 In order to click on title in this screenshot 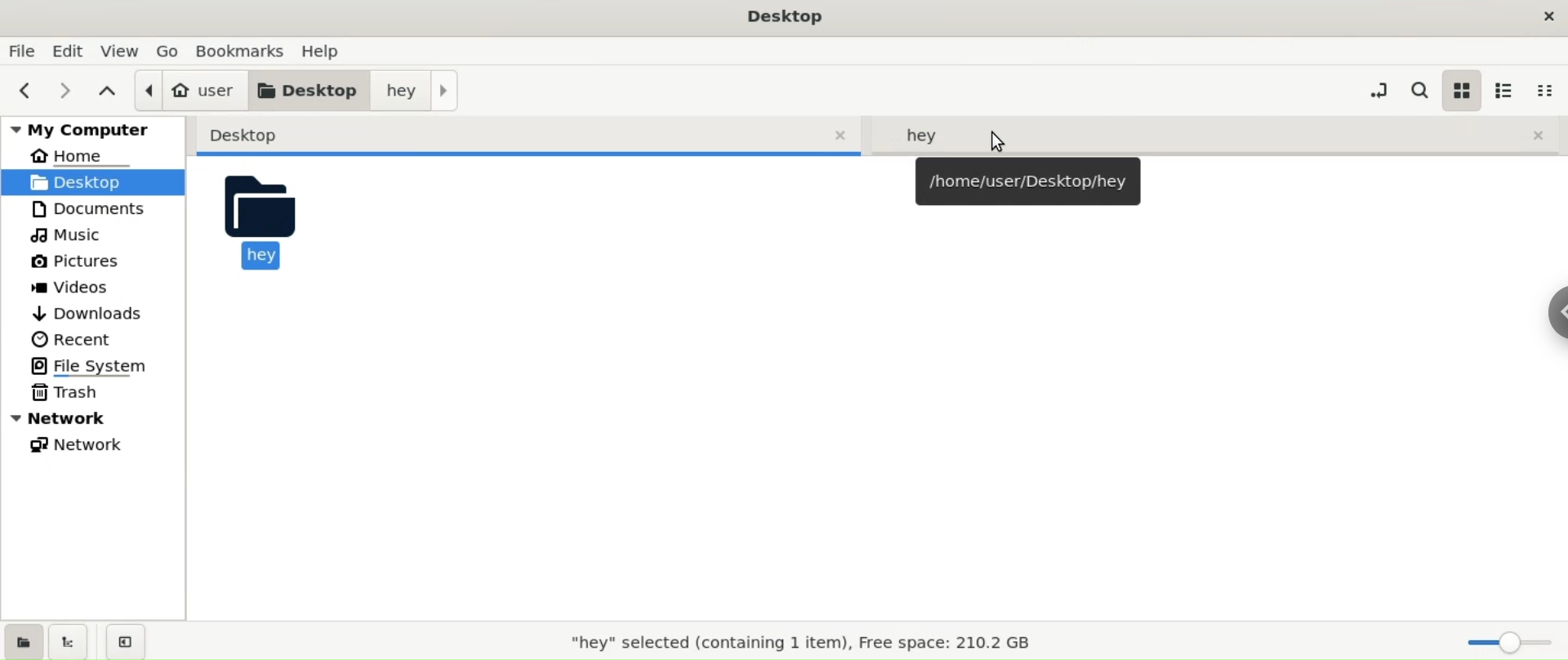, I will do `click(782, 17)`.